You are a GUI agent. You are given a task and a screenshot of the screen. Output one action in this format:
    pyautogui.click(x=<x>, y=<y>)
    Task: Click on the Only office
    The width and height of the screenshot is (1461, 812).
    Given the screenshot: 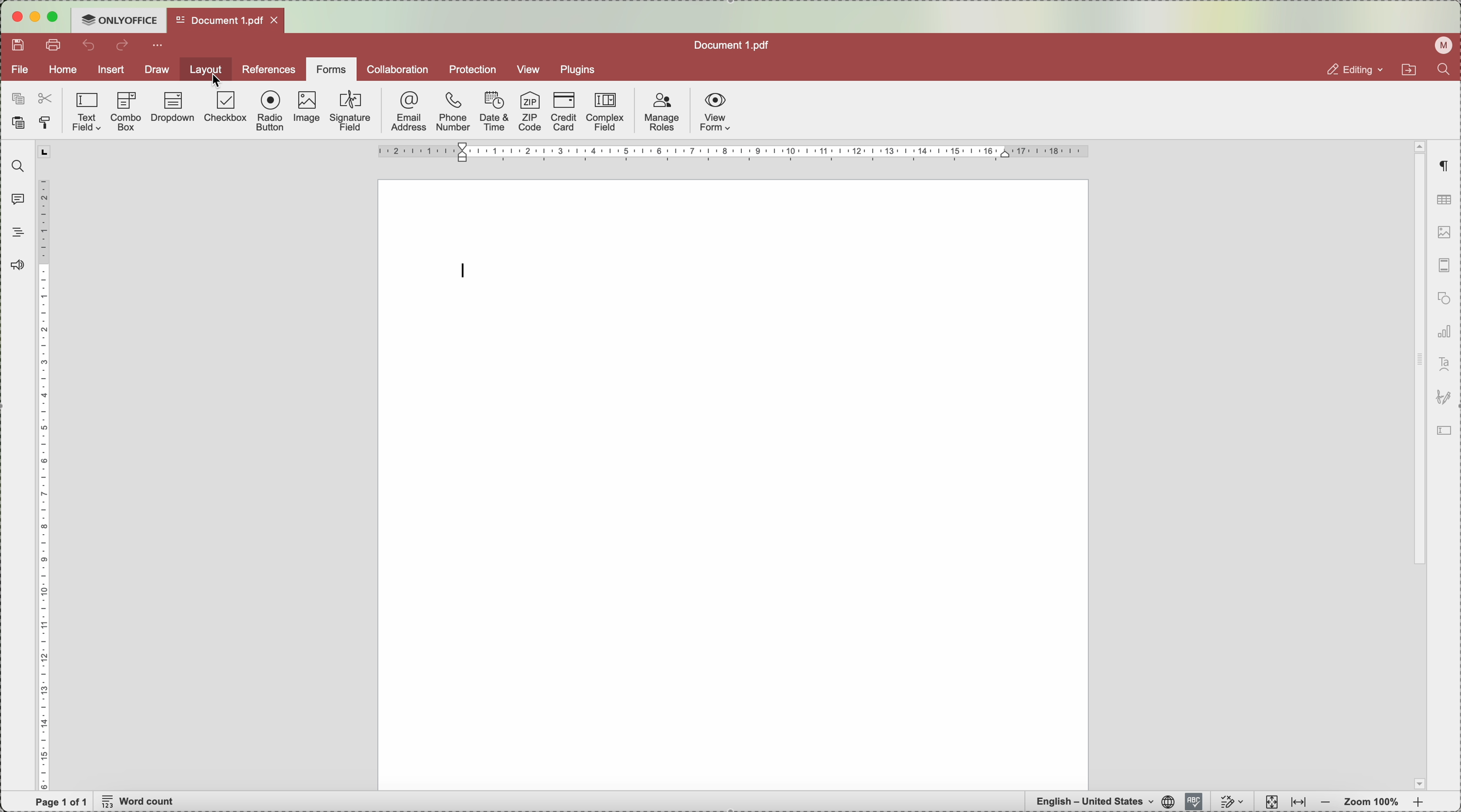 What is the action you would take?
    pyautogui.click(x=119, y=19)
    